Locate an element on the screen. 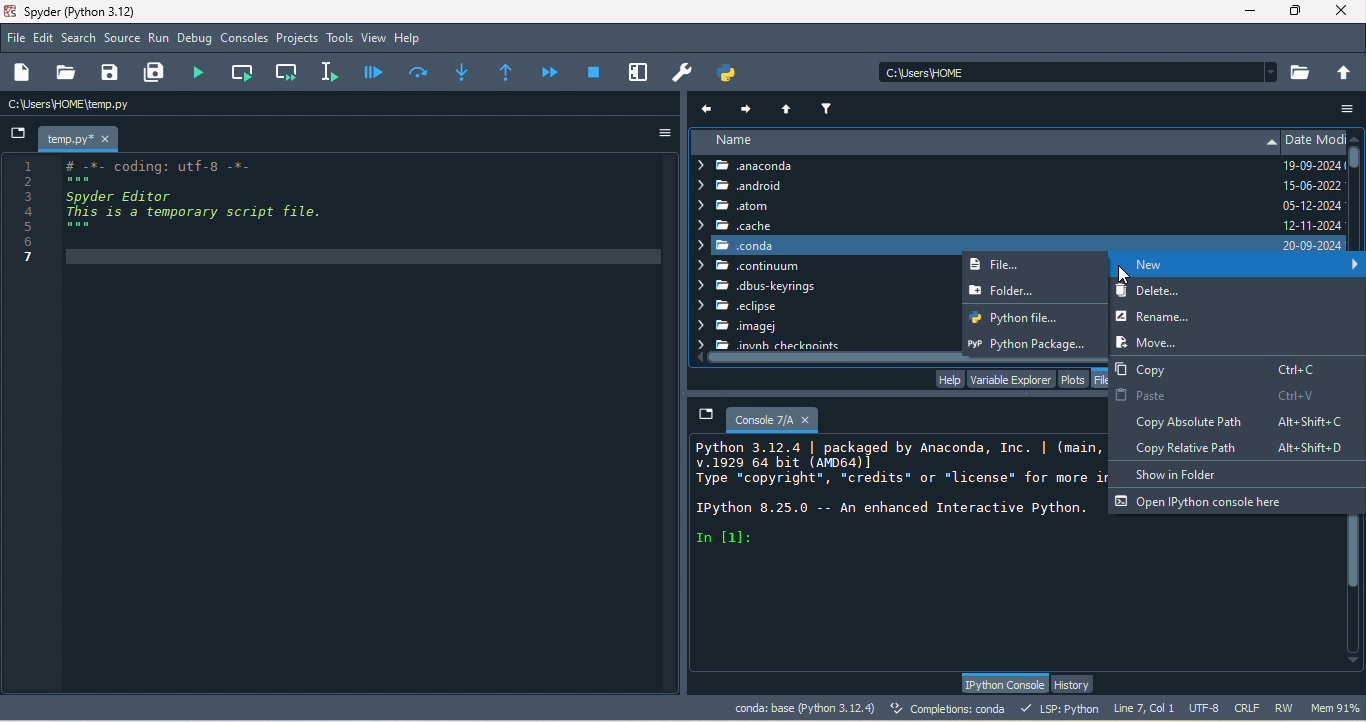  help is located at coordinates (412, 39).